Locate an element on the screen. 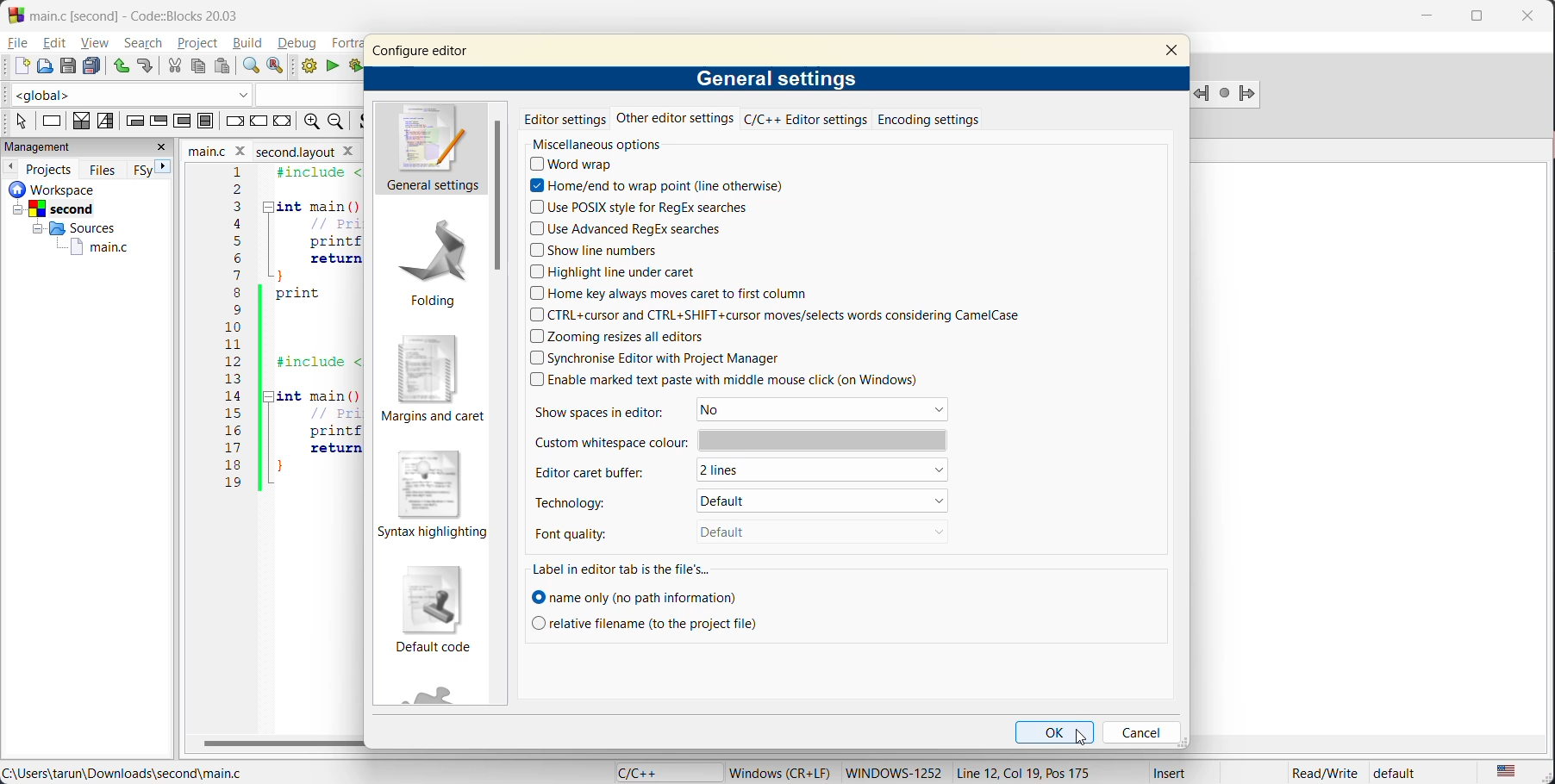 This screenshot has height=784, width=1555. block instruction is located at coordinates (208, 121).